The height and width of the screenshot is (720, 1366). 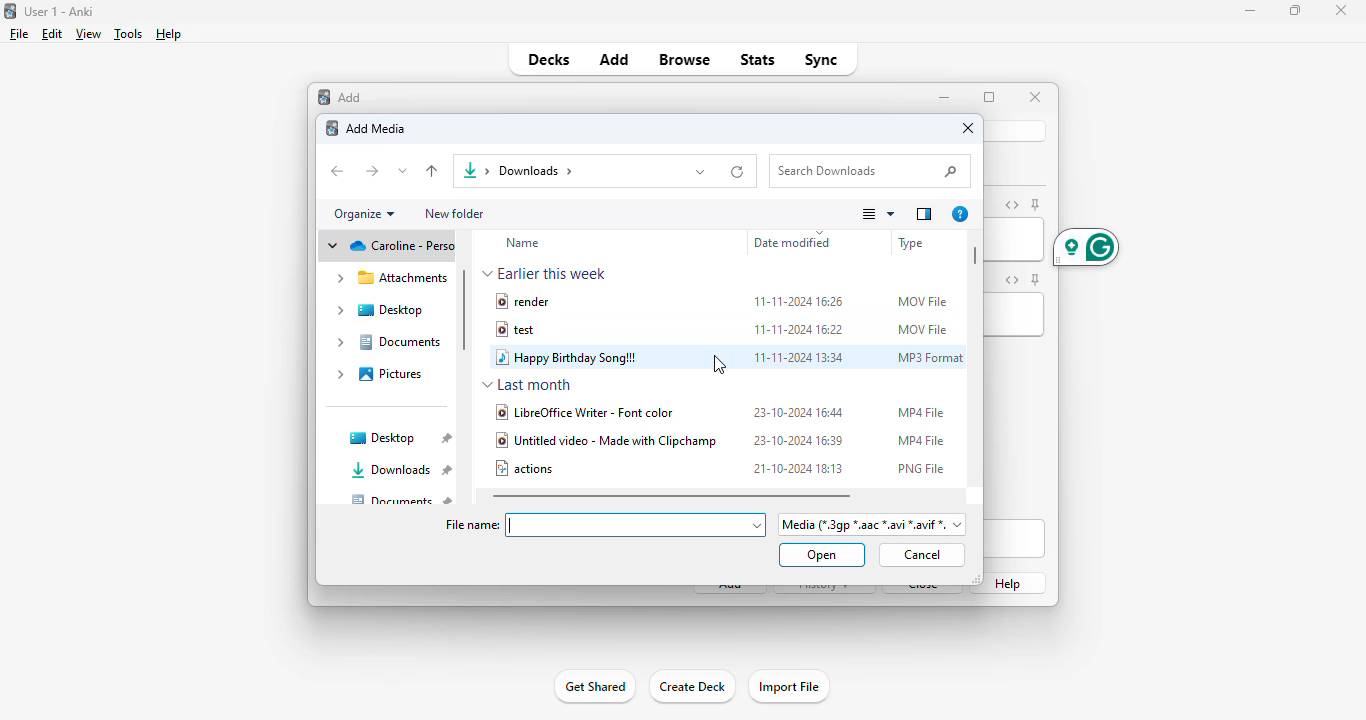 What do you see at coordinates (336, 171) in the screenshot?
I see `back` at bounding box center [336, 171].